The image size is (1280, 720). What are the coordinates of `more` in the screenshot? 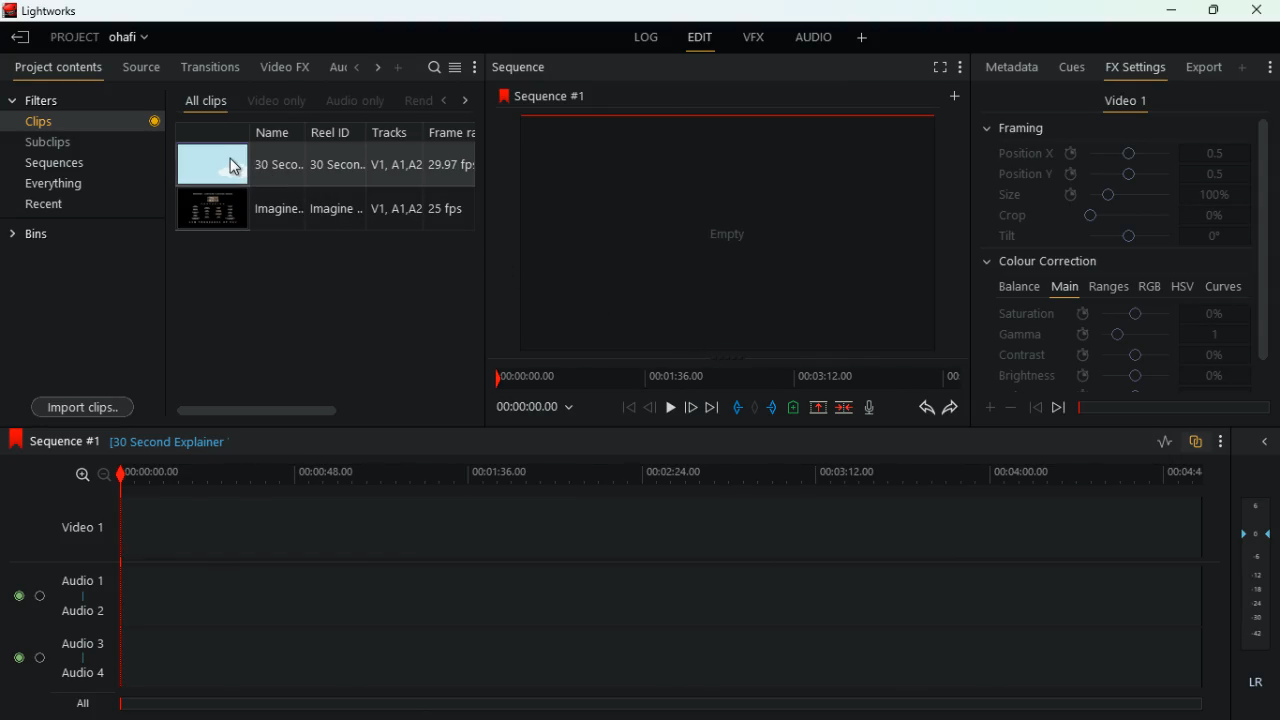 It's located at (1244, 67).